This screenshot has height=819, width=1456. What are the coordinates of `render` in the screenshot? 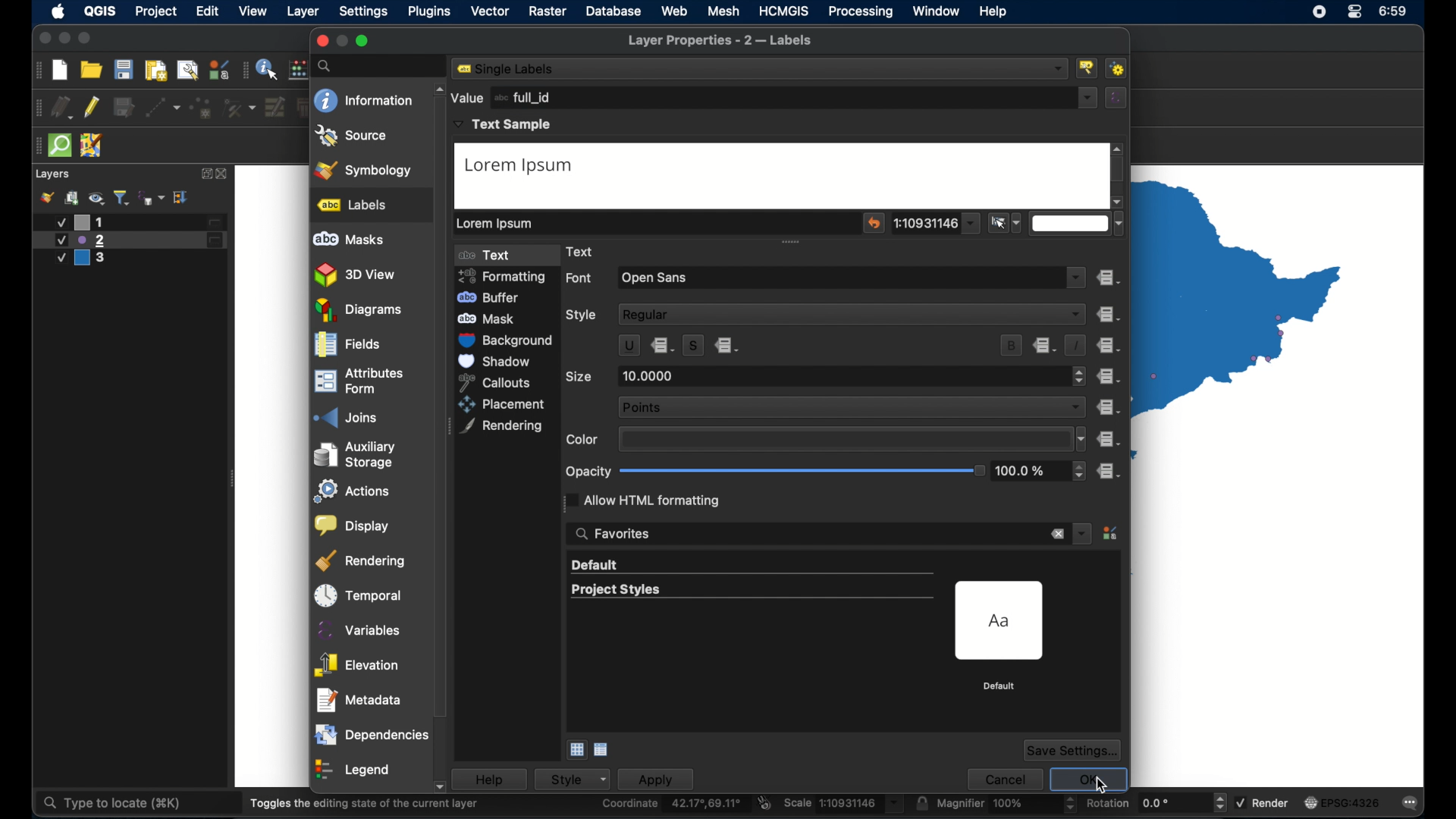 It's located at (1262, 801).